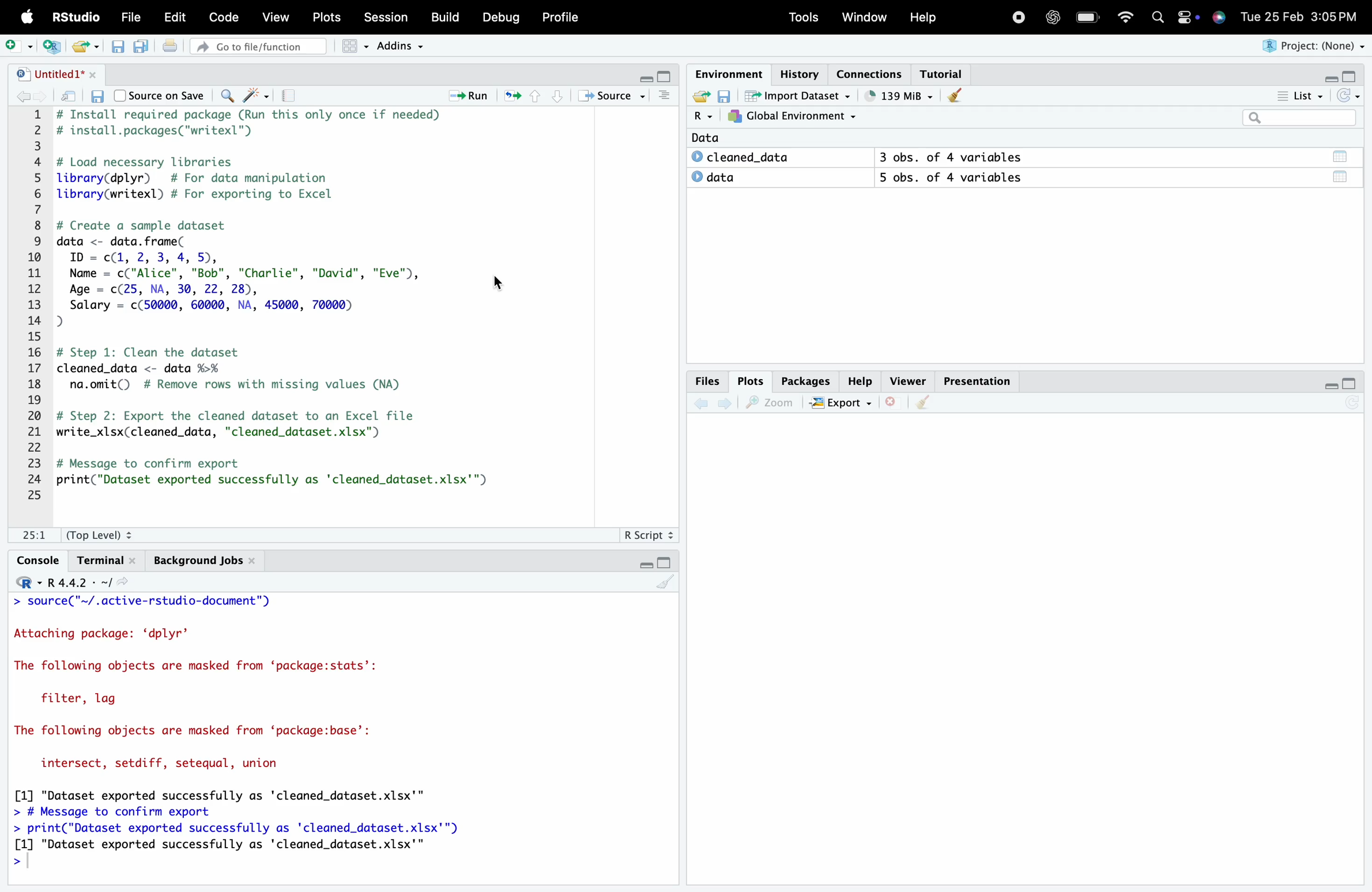 The image size is (1372, 892). Describe the element at coordinates (42, 561) in the screenshot. I see `Console` at that location.